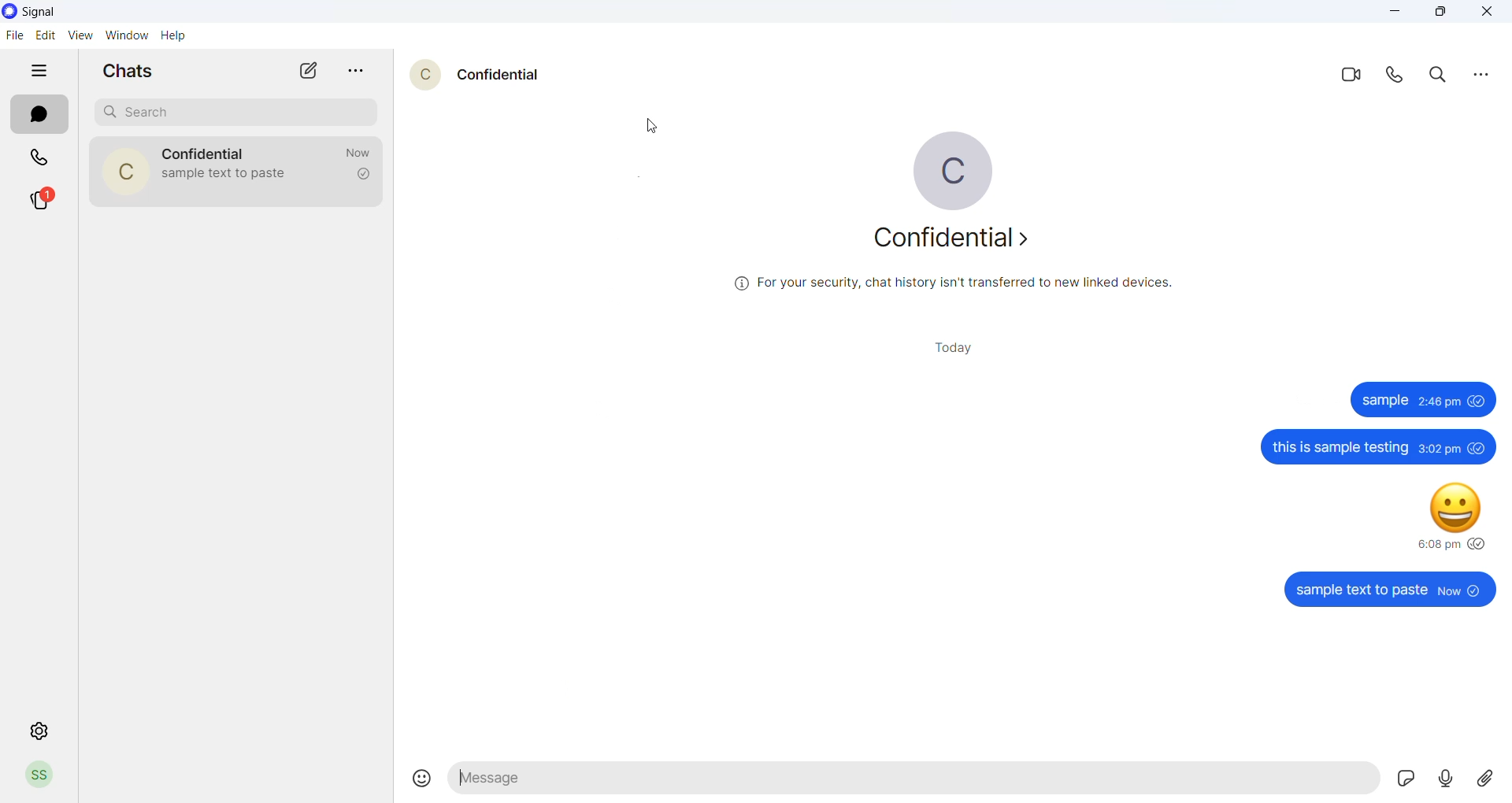 The image size is (1512, 803). I want to click on voice call, so click(1401, 80).